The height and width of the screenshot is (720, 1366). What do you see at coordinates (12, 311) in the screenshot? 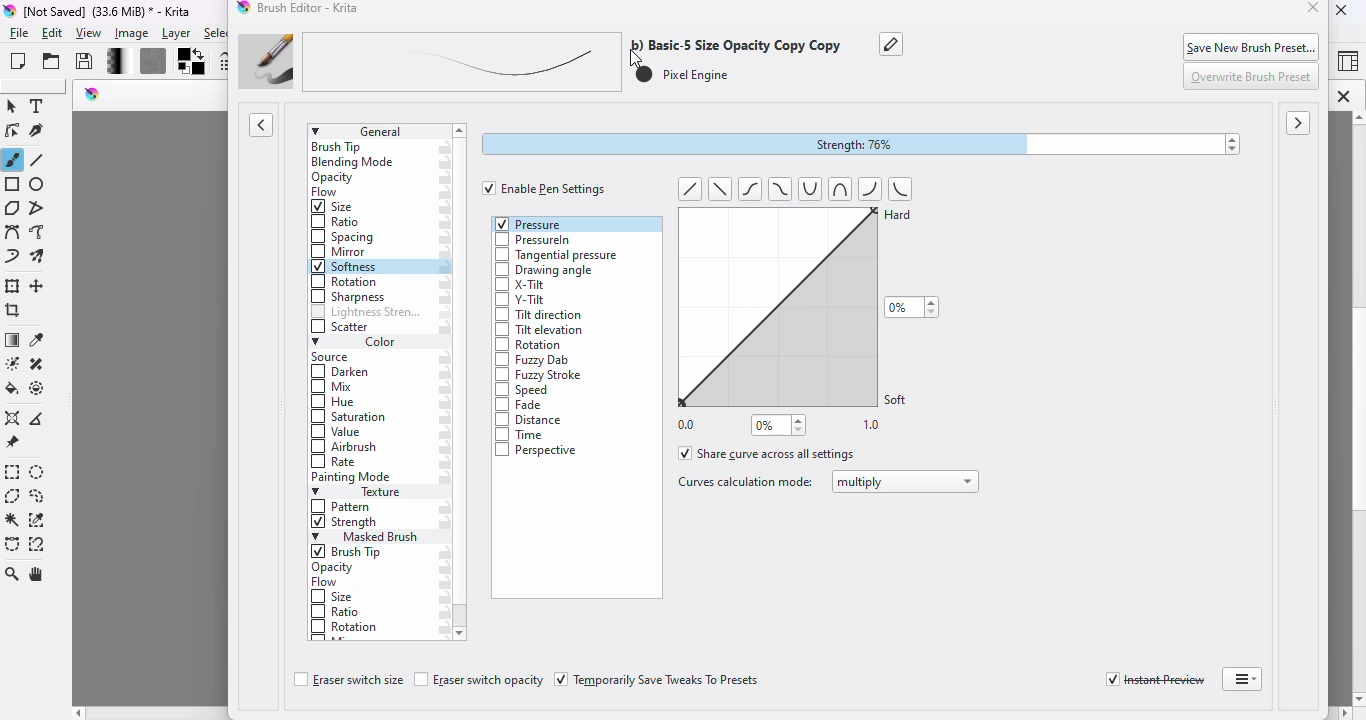
I see `crop the image to an area` at bounding box center [12, 311].